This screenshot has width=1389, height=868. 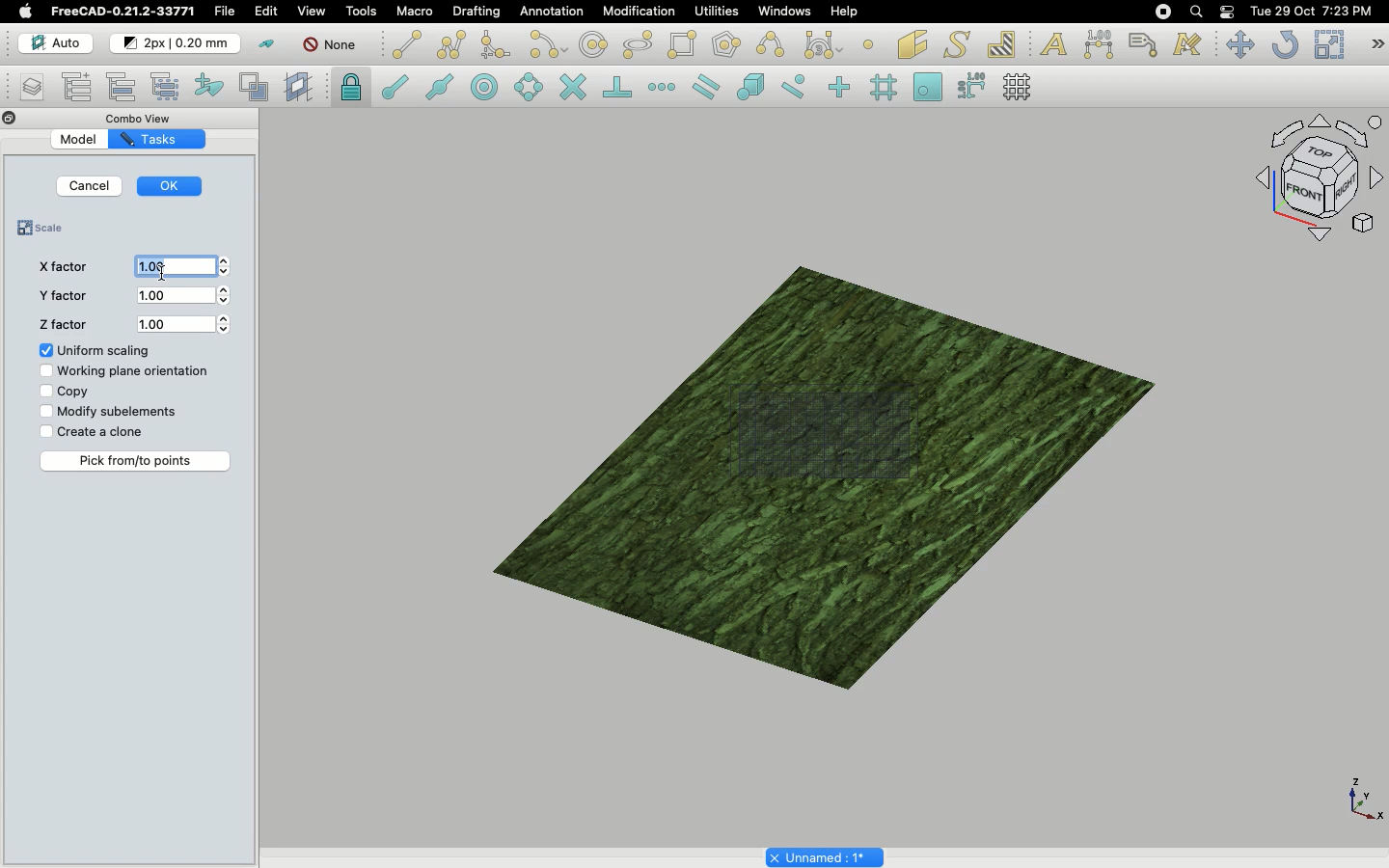 What do you see at coordinates (60, 267) in the screenshot?
I see `X factor` at bounding box center [60, 267].